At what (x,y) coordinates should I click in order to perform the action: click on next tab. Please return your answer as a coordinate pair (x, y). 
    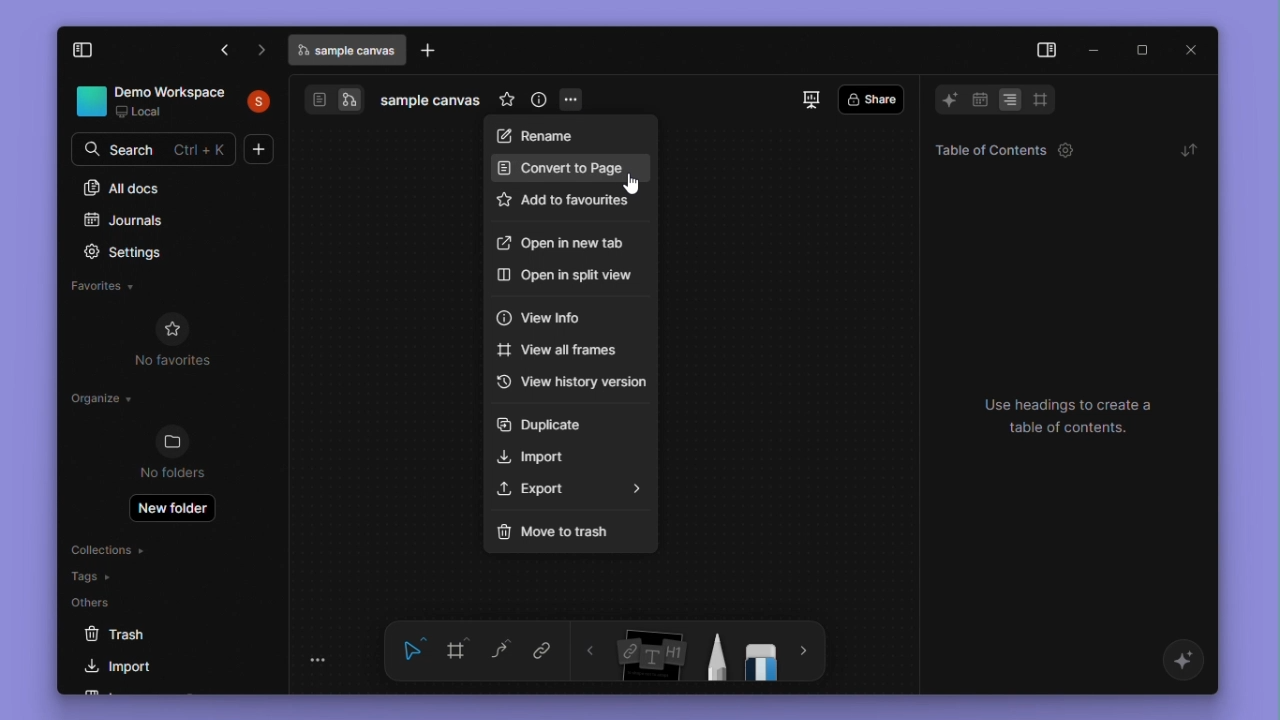
    Looking at the image, I should click on (262, 50).